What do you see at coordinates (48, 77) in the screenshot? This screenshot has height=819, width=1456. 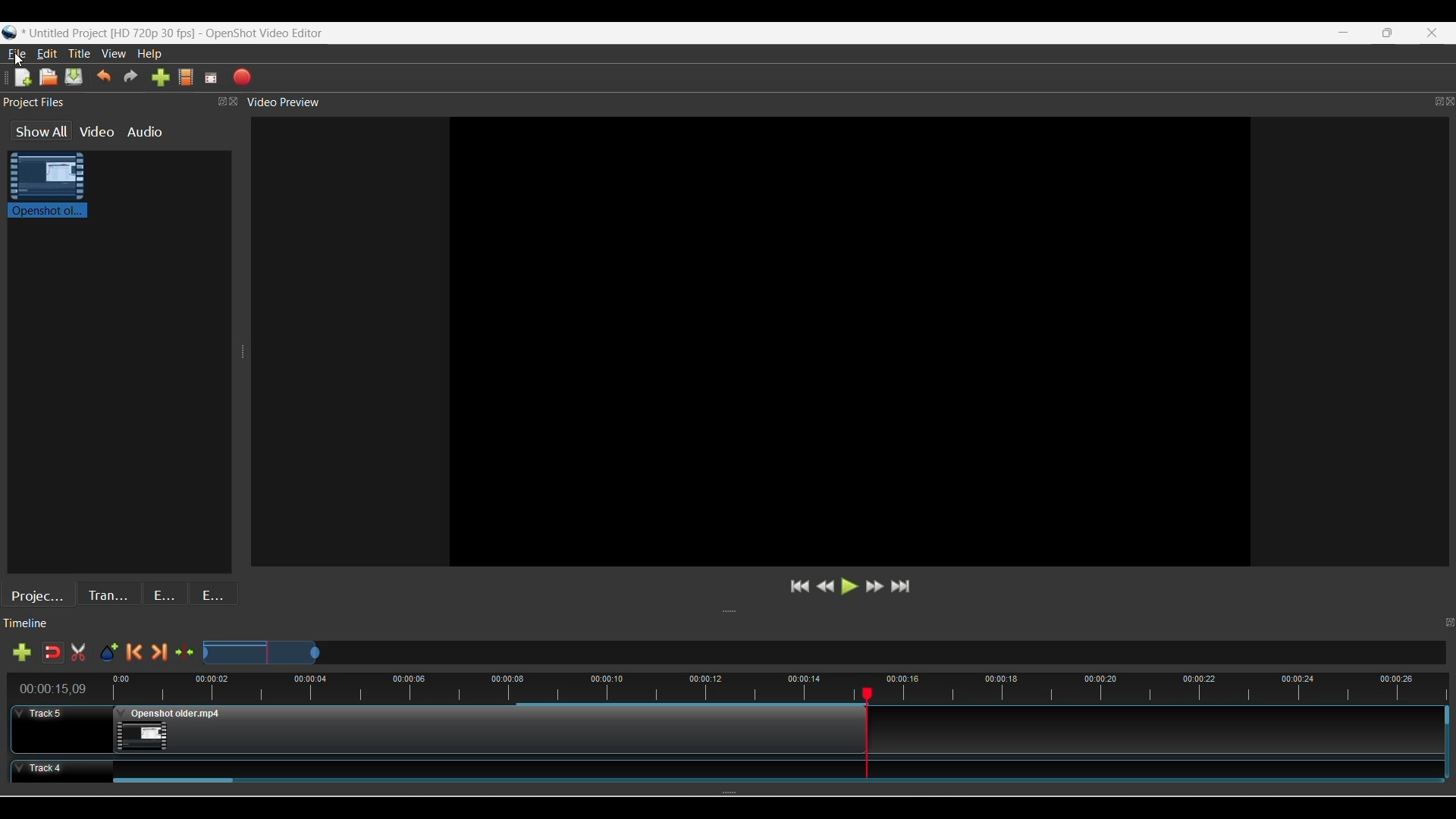 I see `Open file` at bounding box center [48, 77].